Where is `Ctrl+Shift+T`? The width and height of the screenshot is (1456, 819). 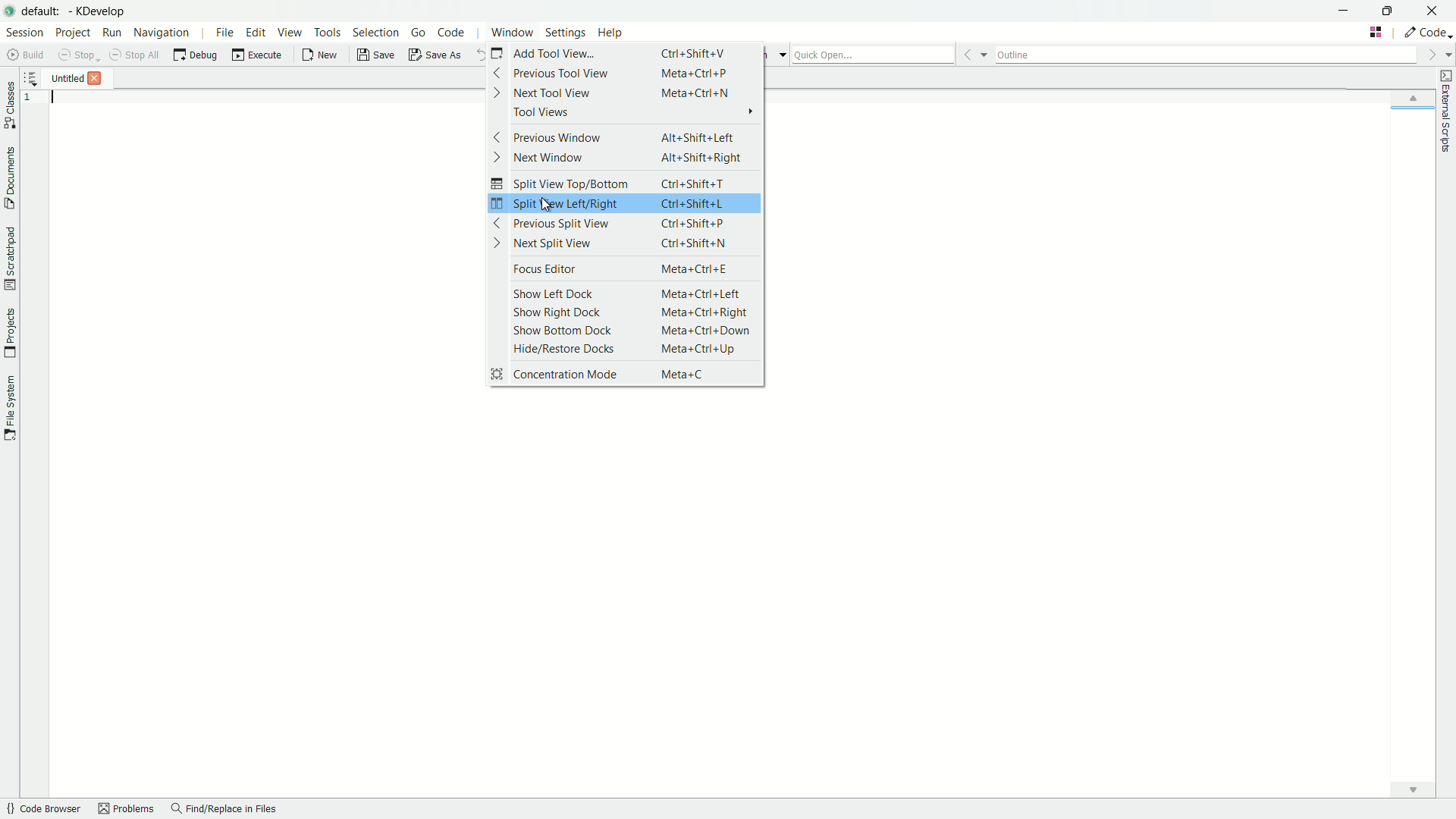
Ctrl+Shift+T is located at coordinates (696, 183).